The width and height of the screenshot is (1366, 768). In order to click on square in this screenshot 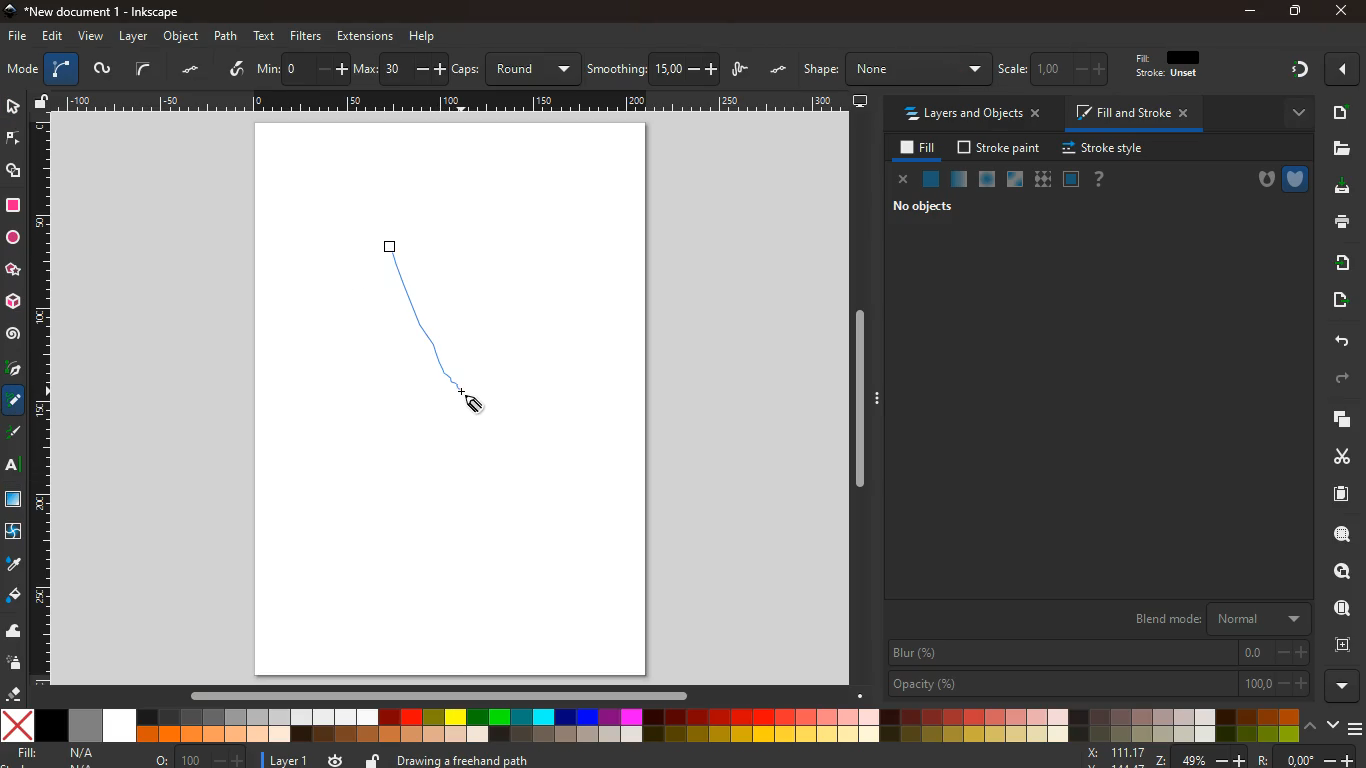, I will do `click(13, 208)`.